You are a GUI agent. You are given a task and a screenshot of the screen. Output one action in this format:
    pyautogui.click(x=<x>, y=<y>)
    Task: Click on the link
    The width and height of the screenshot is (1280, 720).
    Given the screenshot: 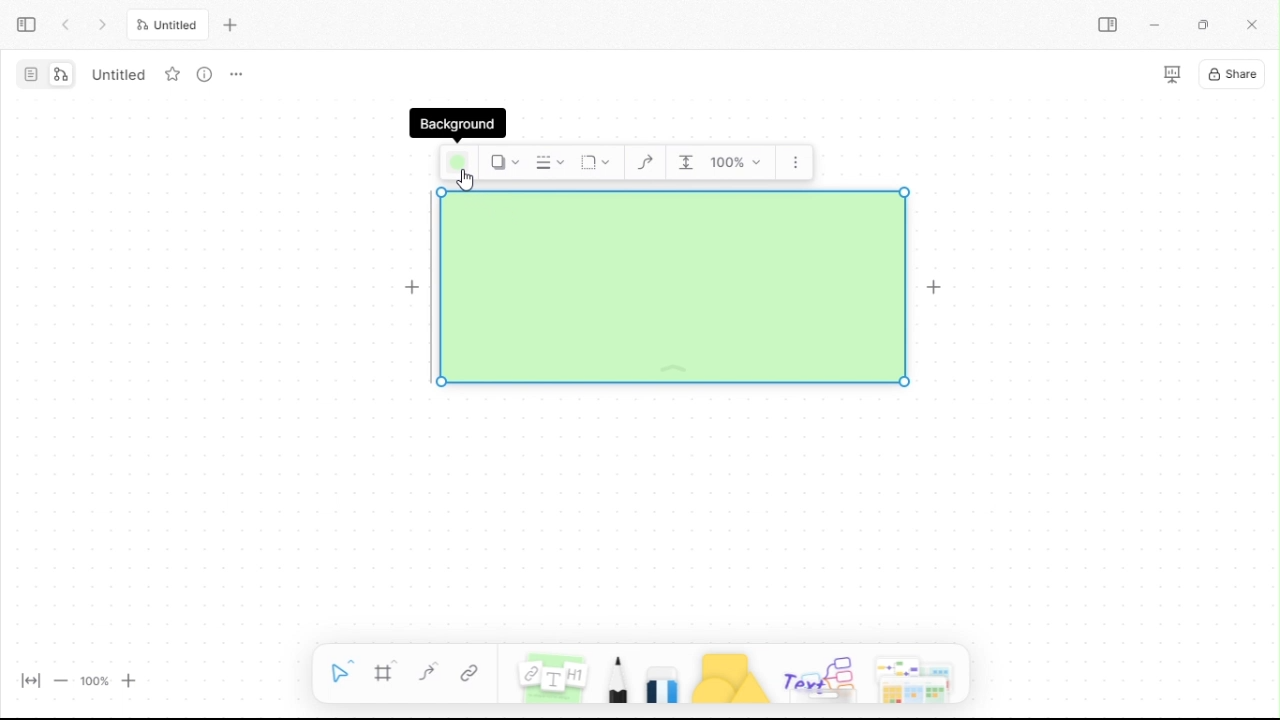 What is the action you would take?
    pyautogui.click(x=471, y=675)
    